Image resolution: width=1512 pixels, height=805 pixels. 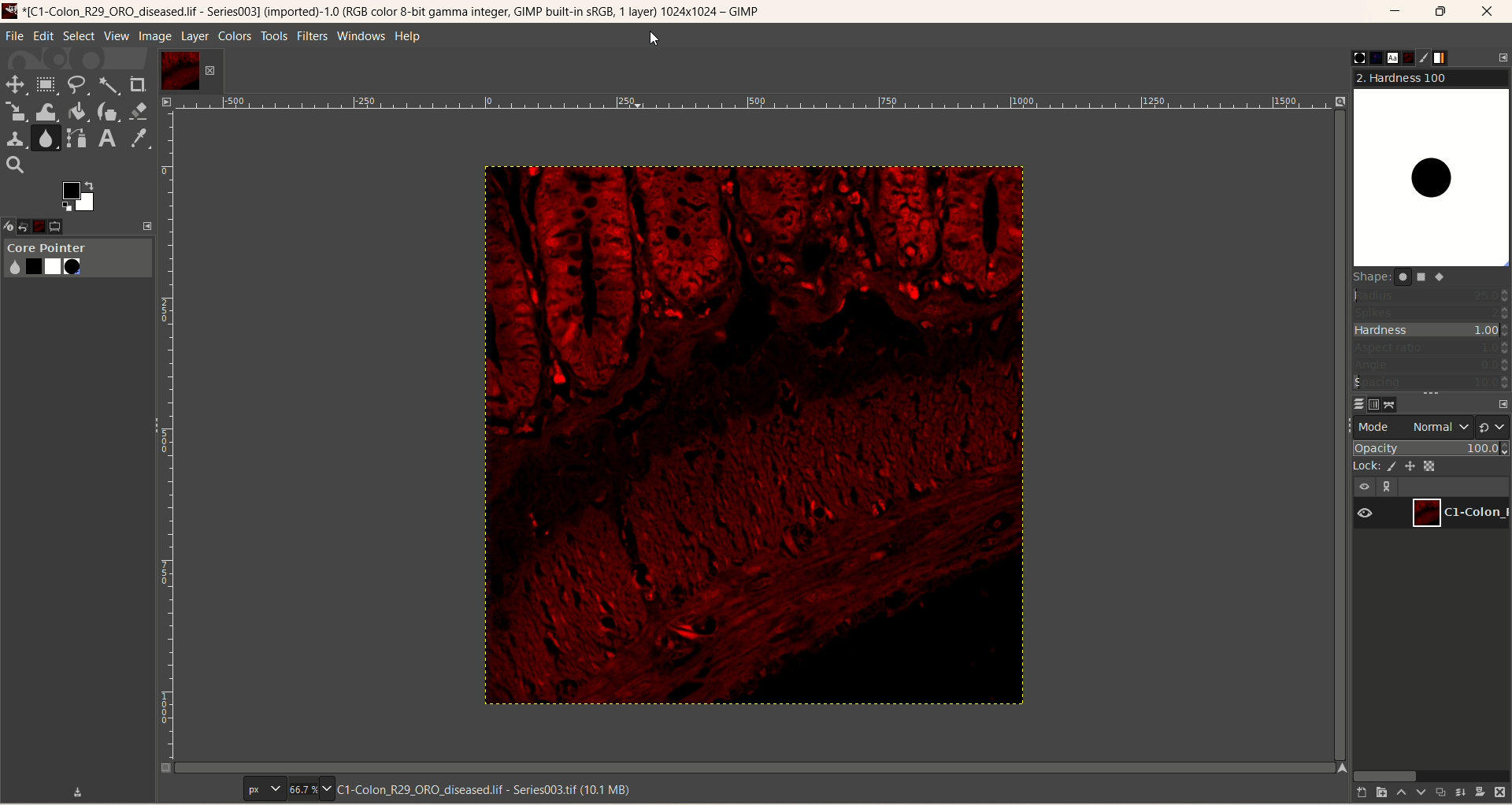 I want to click on clone tool, so click(x=14, y=138).